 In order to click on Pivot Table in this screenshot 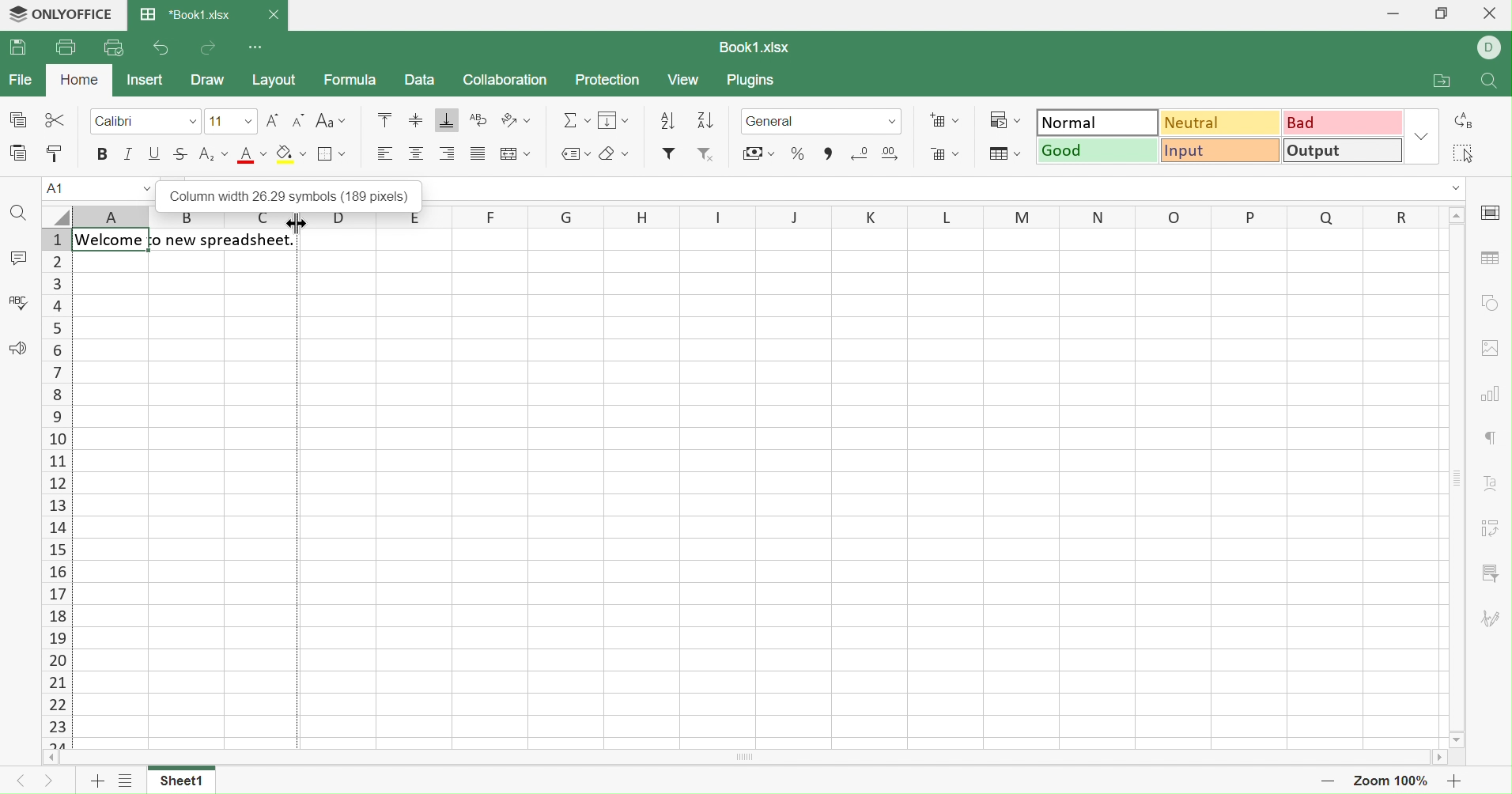, I will do `click(1489, 531)`.